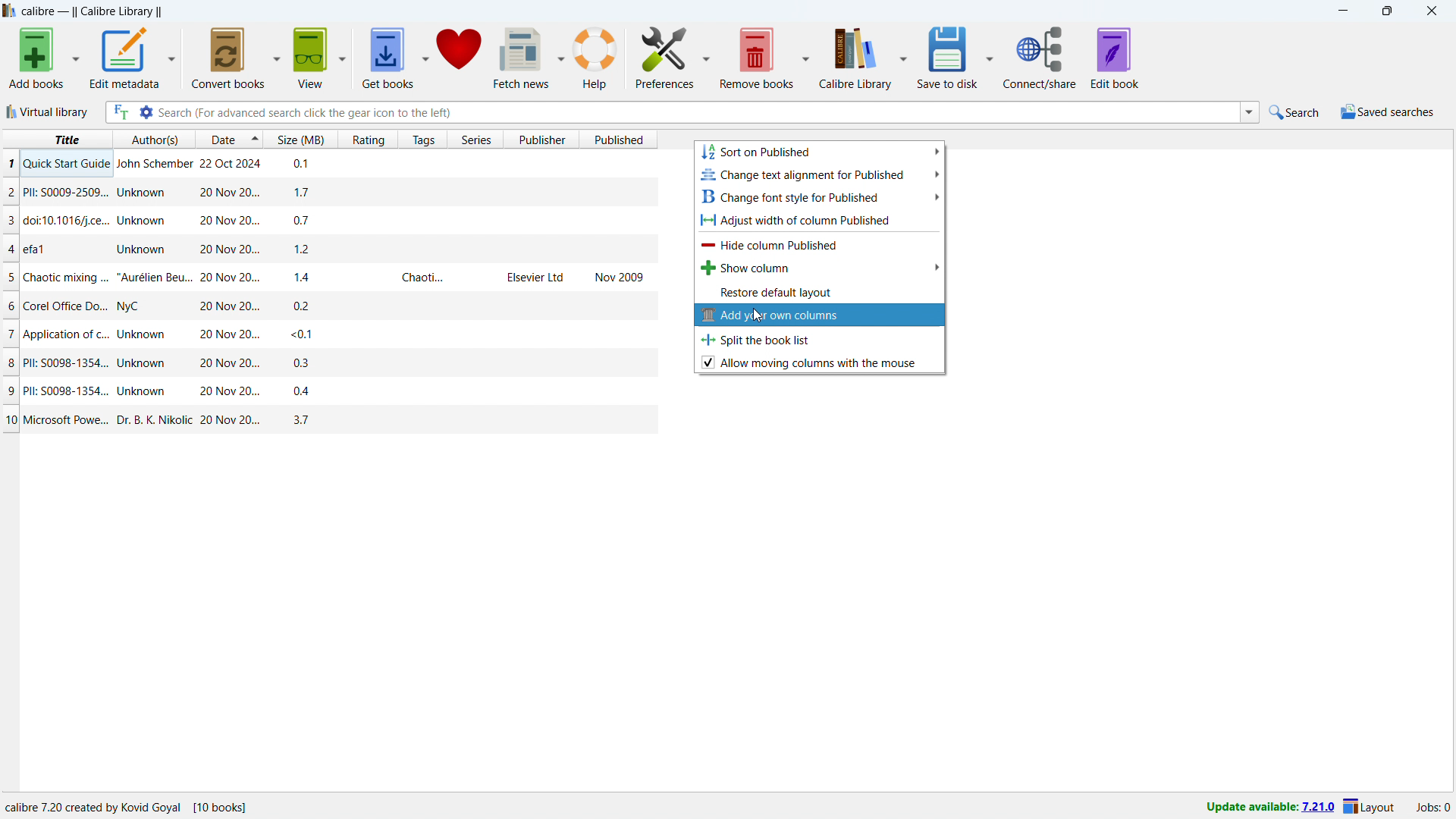 This screenshot has width=1456, height=819. I want to click on layout, so click(1370, 806).